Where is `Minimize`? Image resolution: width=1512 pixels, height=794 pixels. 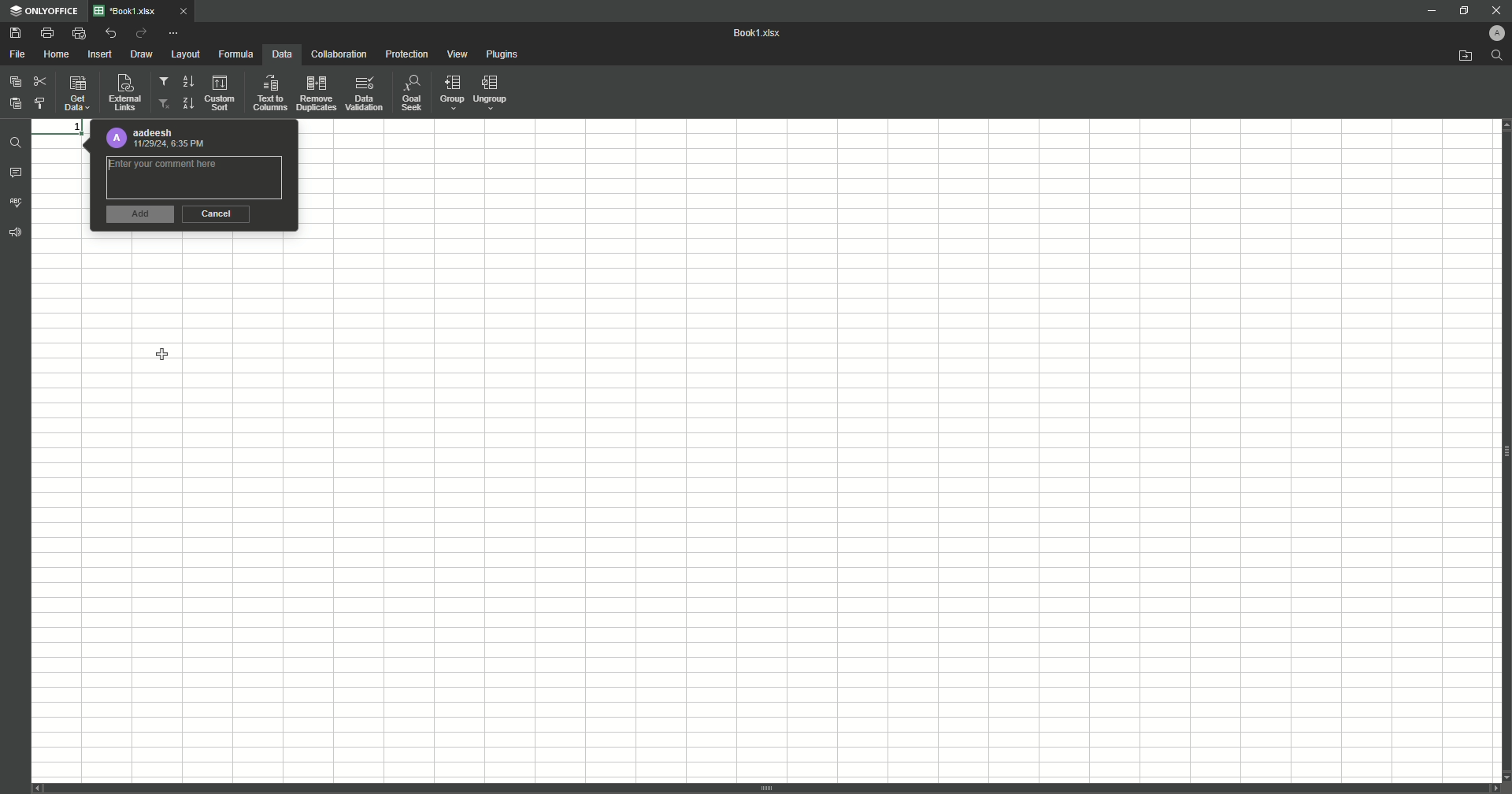
Minimize is located at coordinates (1424, 12).